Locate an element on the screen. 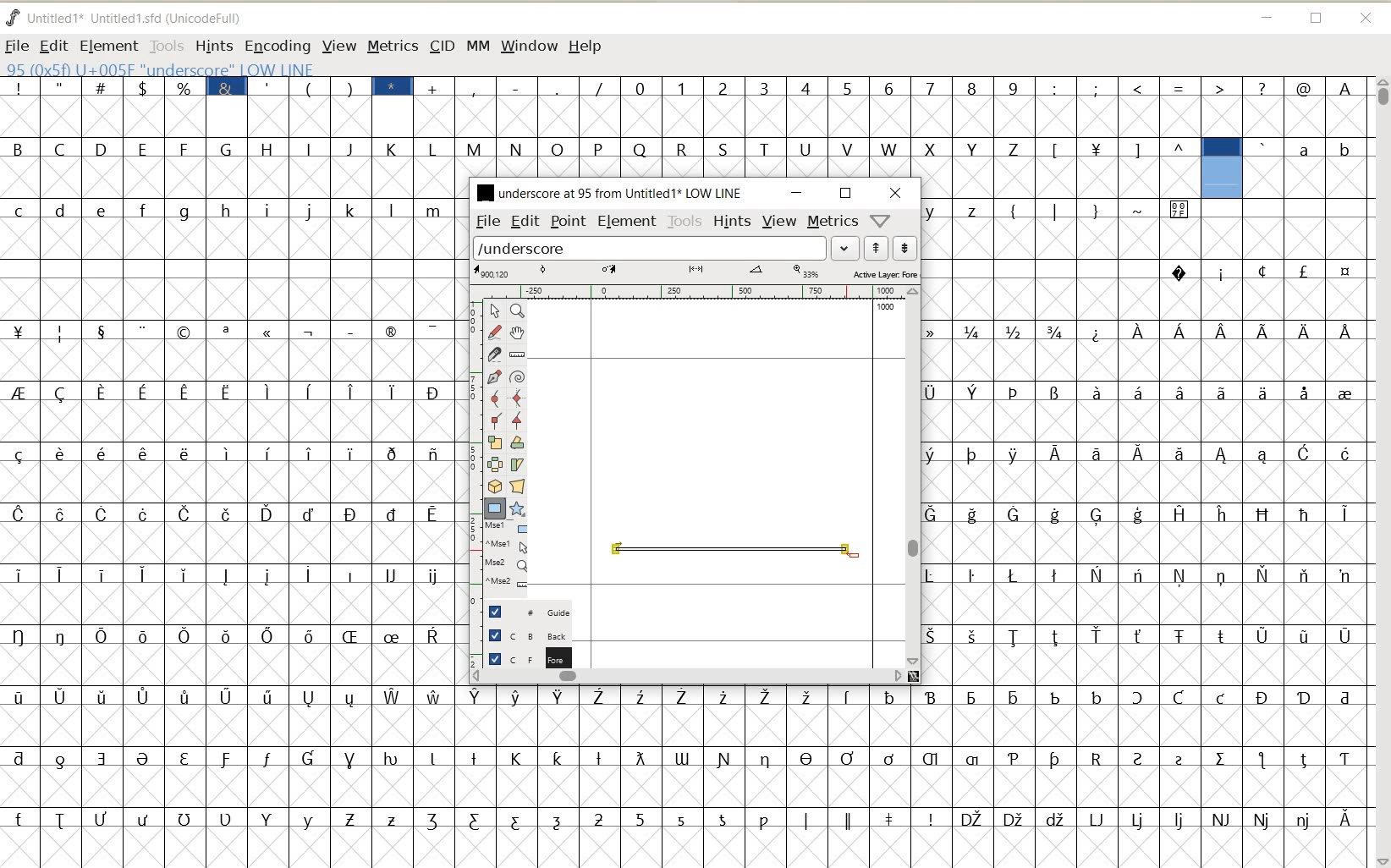 The image size is (1391, 868). WINDOW is located at coordinates (530, 47).